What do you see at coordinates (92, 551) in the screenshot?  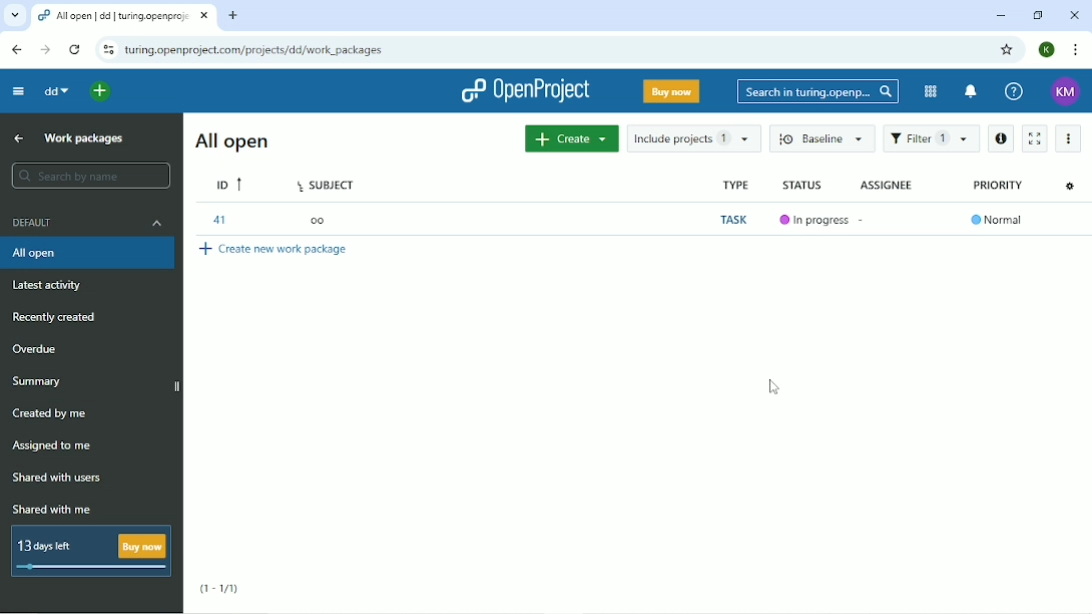 I see `13 days left Buy now` at bounding box center [92, 551].